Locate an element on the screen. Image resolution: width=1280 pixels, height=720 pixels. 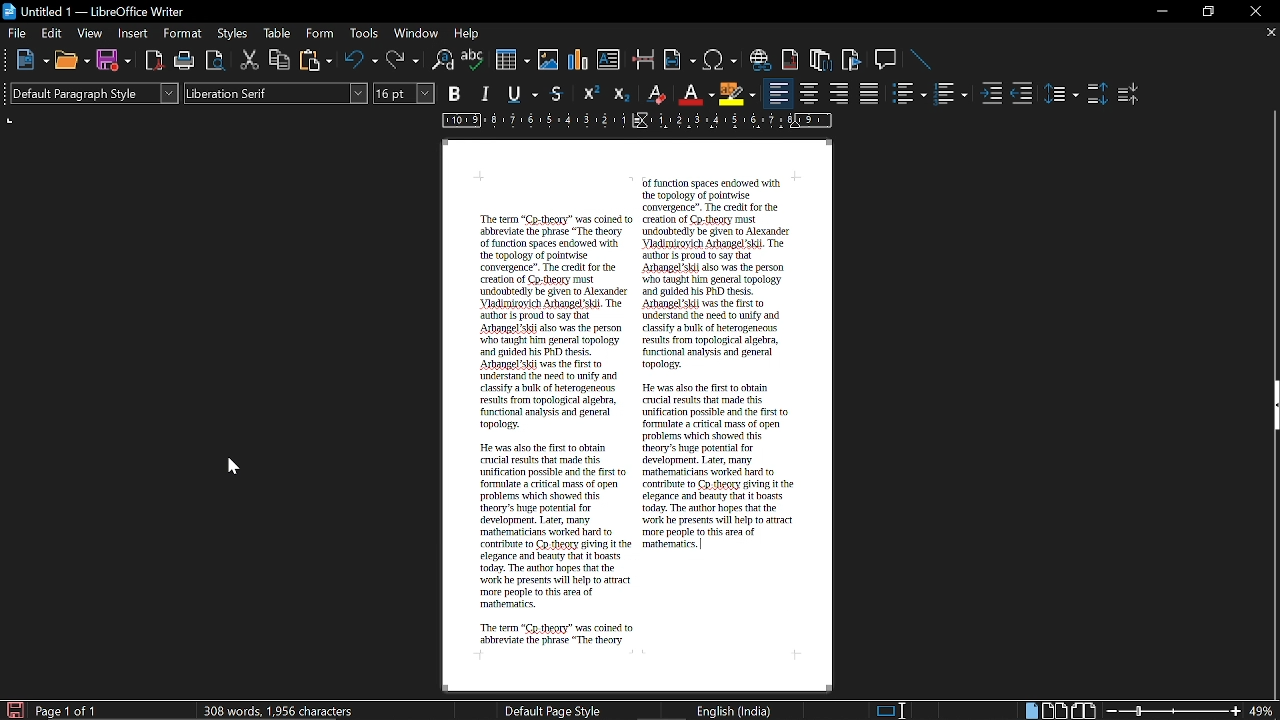
Form is located at coordinates (322, 32).